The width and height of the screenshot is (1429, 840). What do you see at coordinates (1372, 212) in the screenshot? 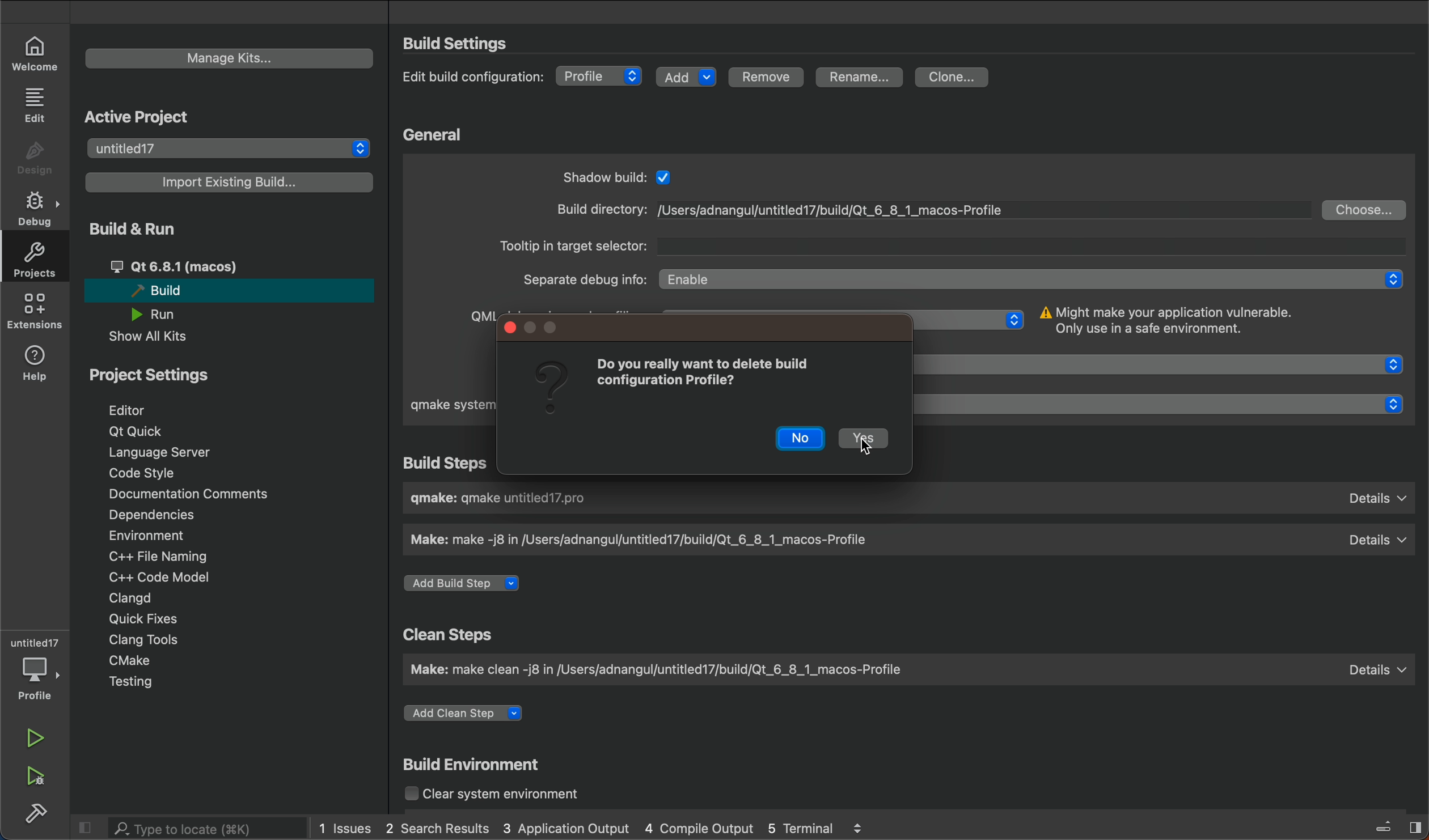
I see `choose` at bounding box center [1372, 212].